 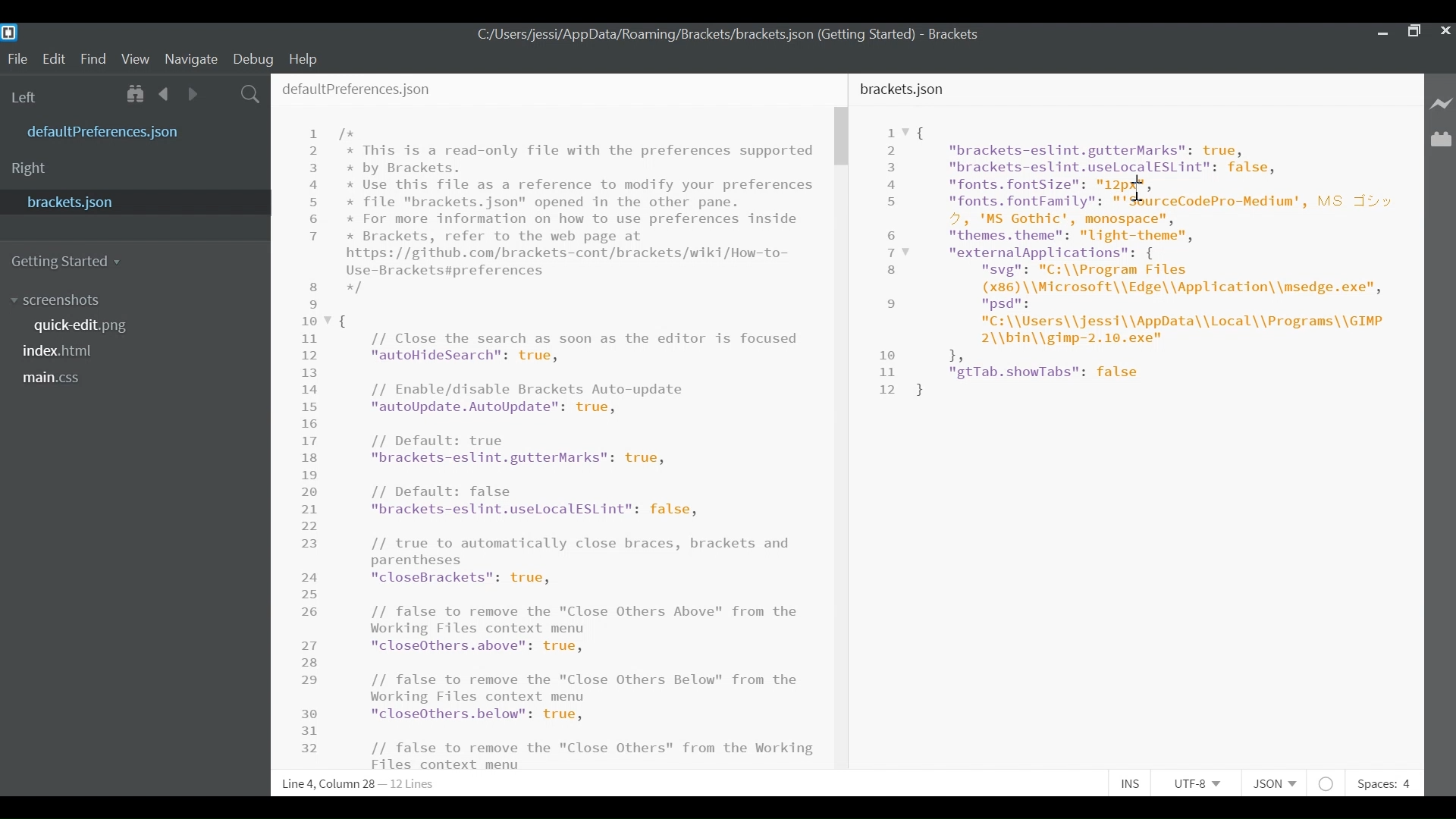 I want to click on Close, so click(x=1446, y=33).